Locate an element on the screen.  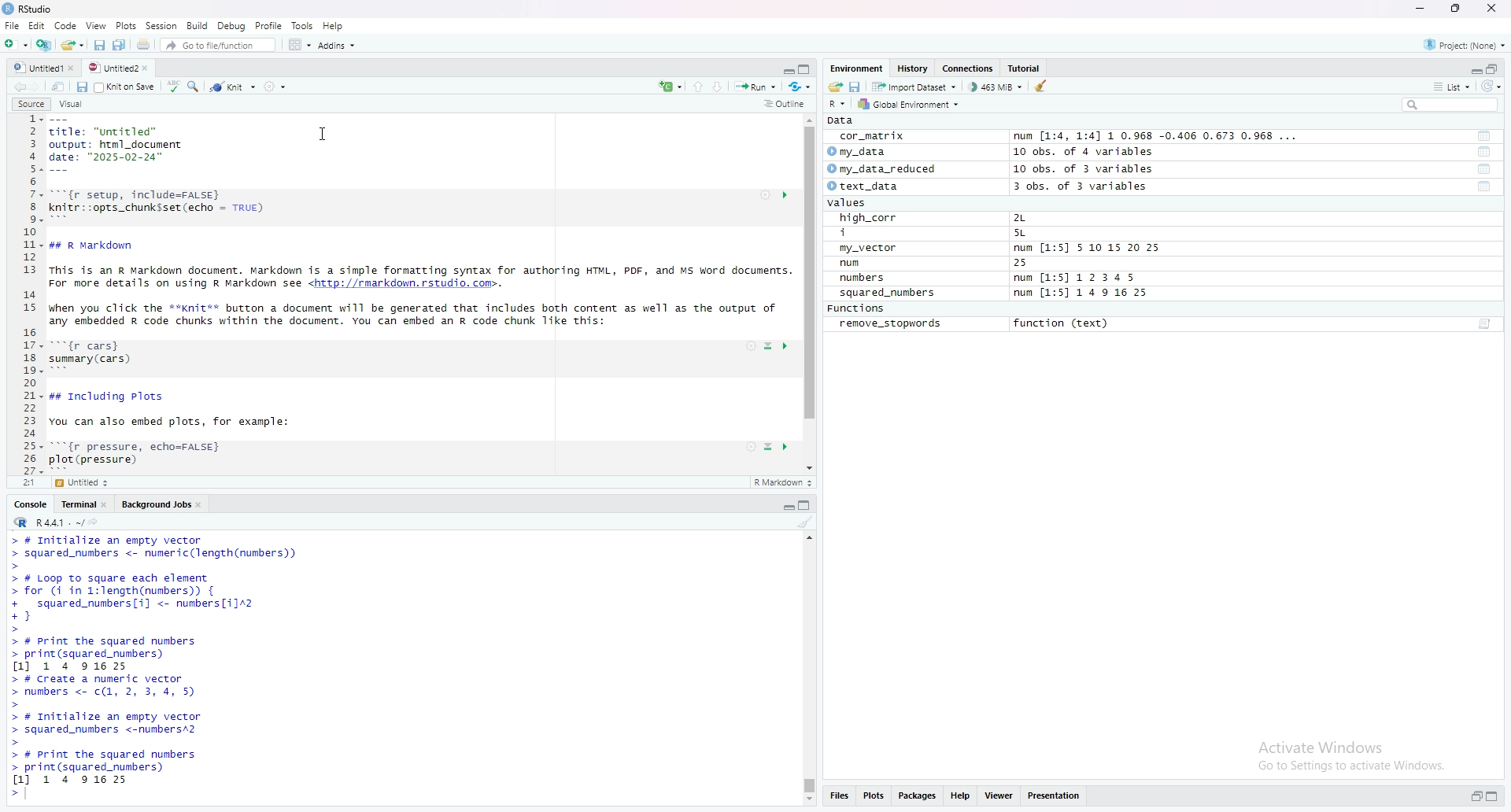
Code is located at coordinates (65, 26).